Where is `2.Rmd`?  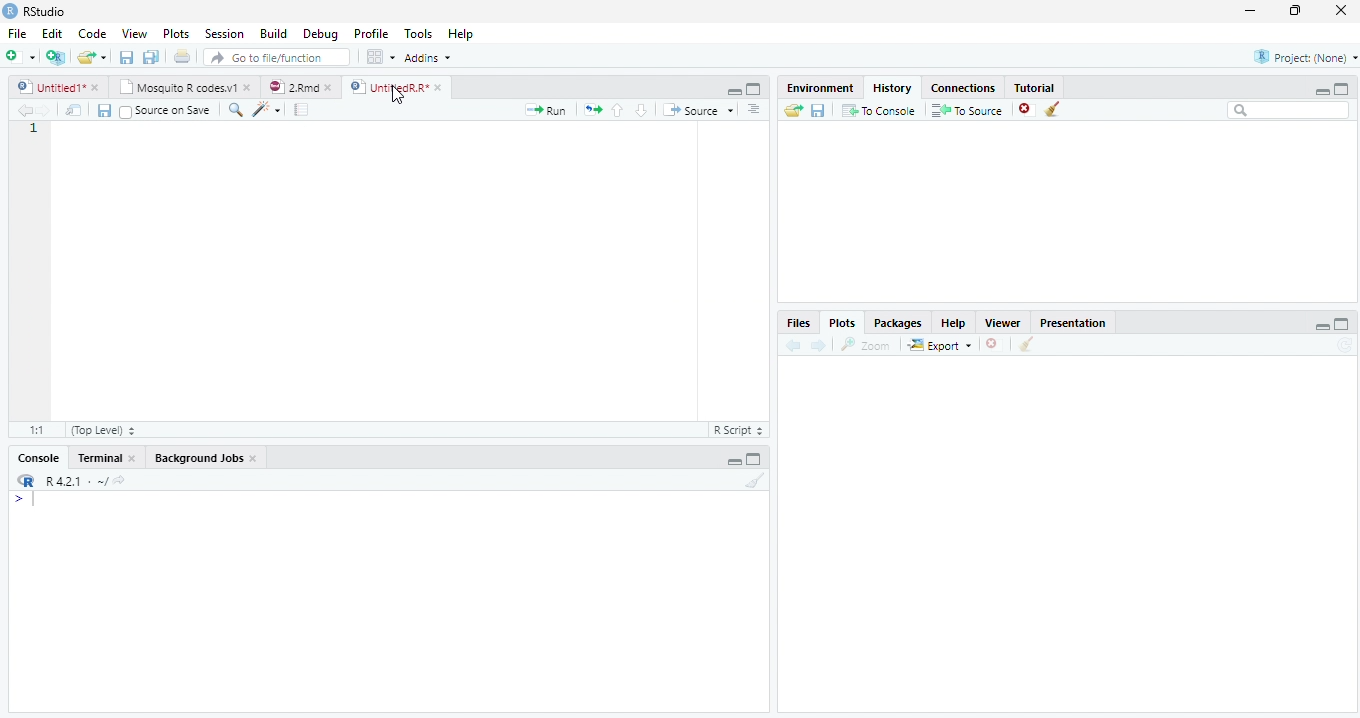 2.Rmd is located at coordinates (300, 89).